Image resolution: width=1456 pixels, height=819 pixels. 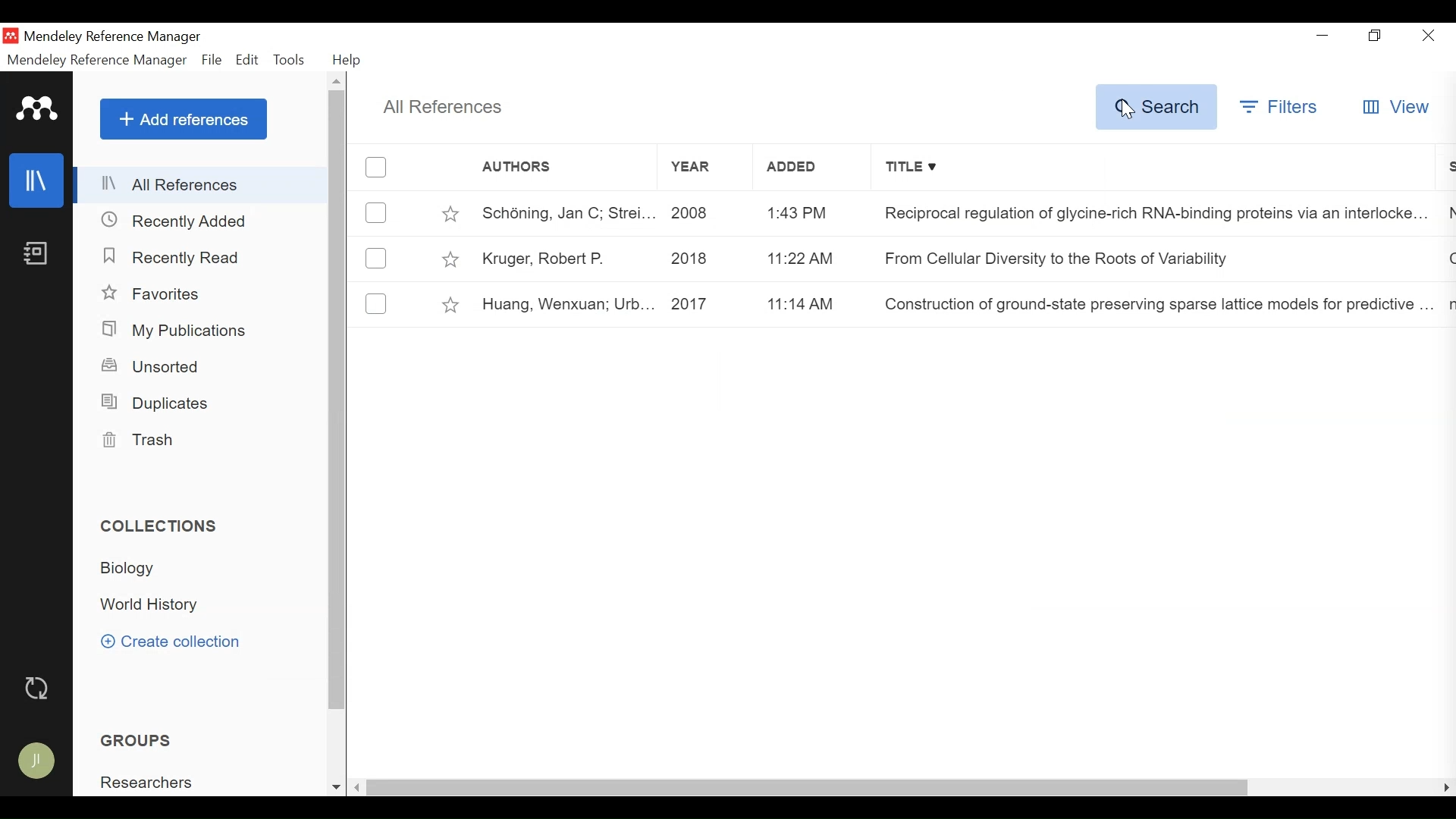 What do you see at coordinates (815, 257) in the screenshot?
I see `11:22 AM` at bounding box center [815, 257].